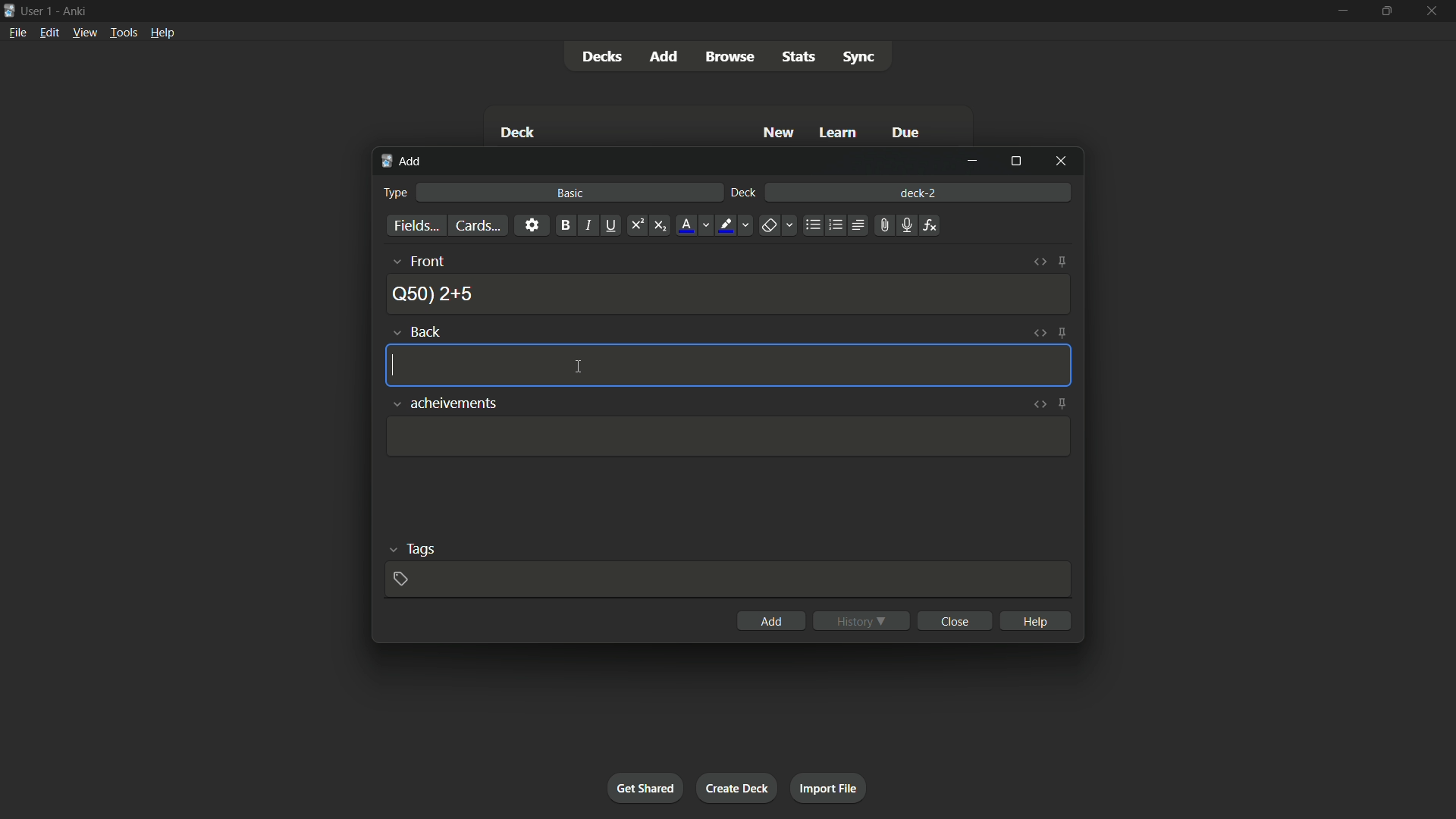 This screenshot has height=819, width=1456. What do you see at coordinates (1060, 333) in the screenshot?
I see `toggle sticky` at bounding box center [1060, 333].